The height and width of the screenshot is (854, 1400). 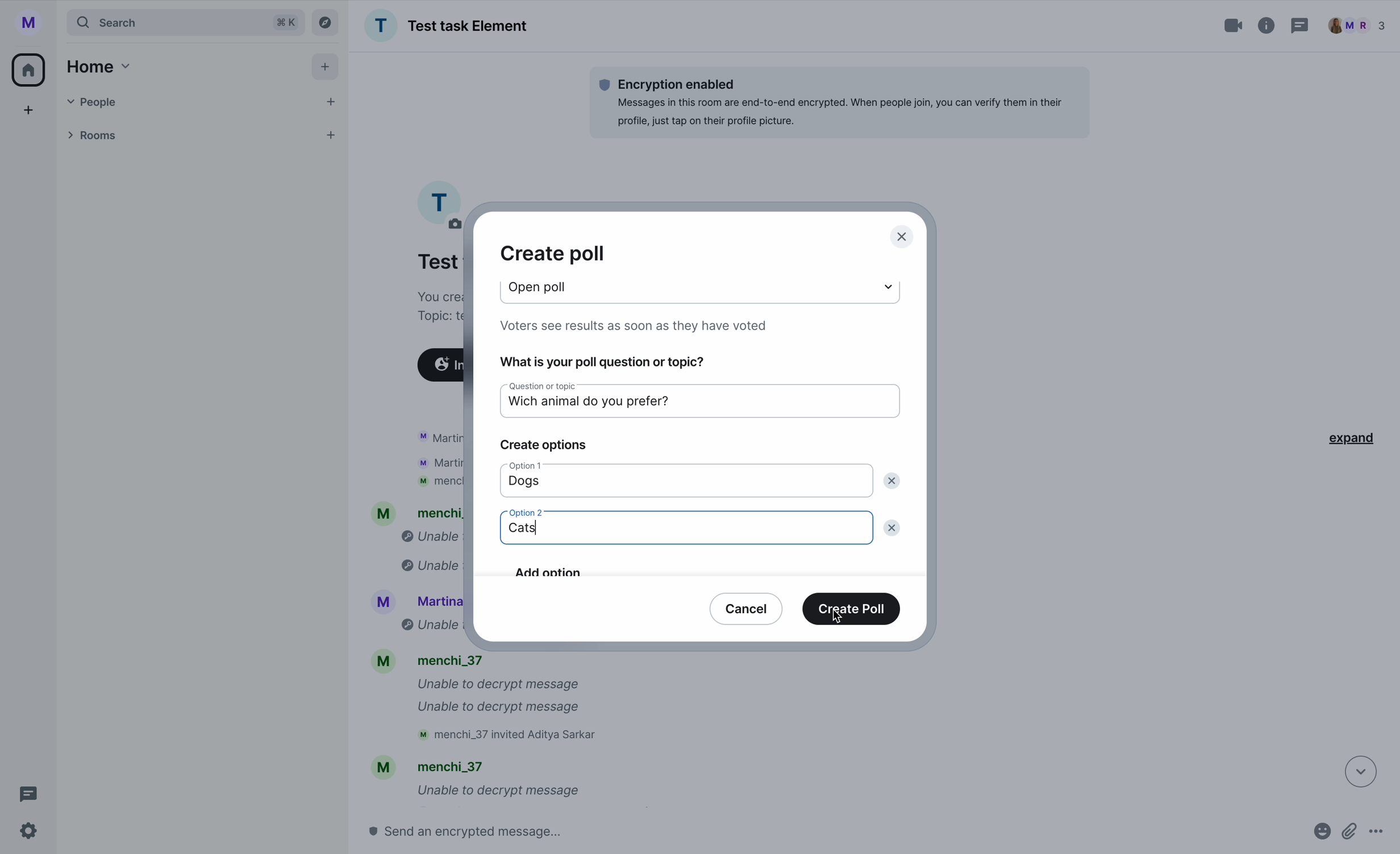 What do you see at coordinates (545, 286) in the screenshot?
I see `poll type` at bounding box center [545, 286].